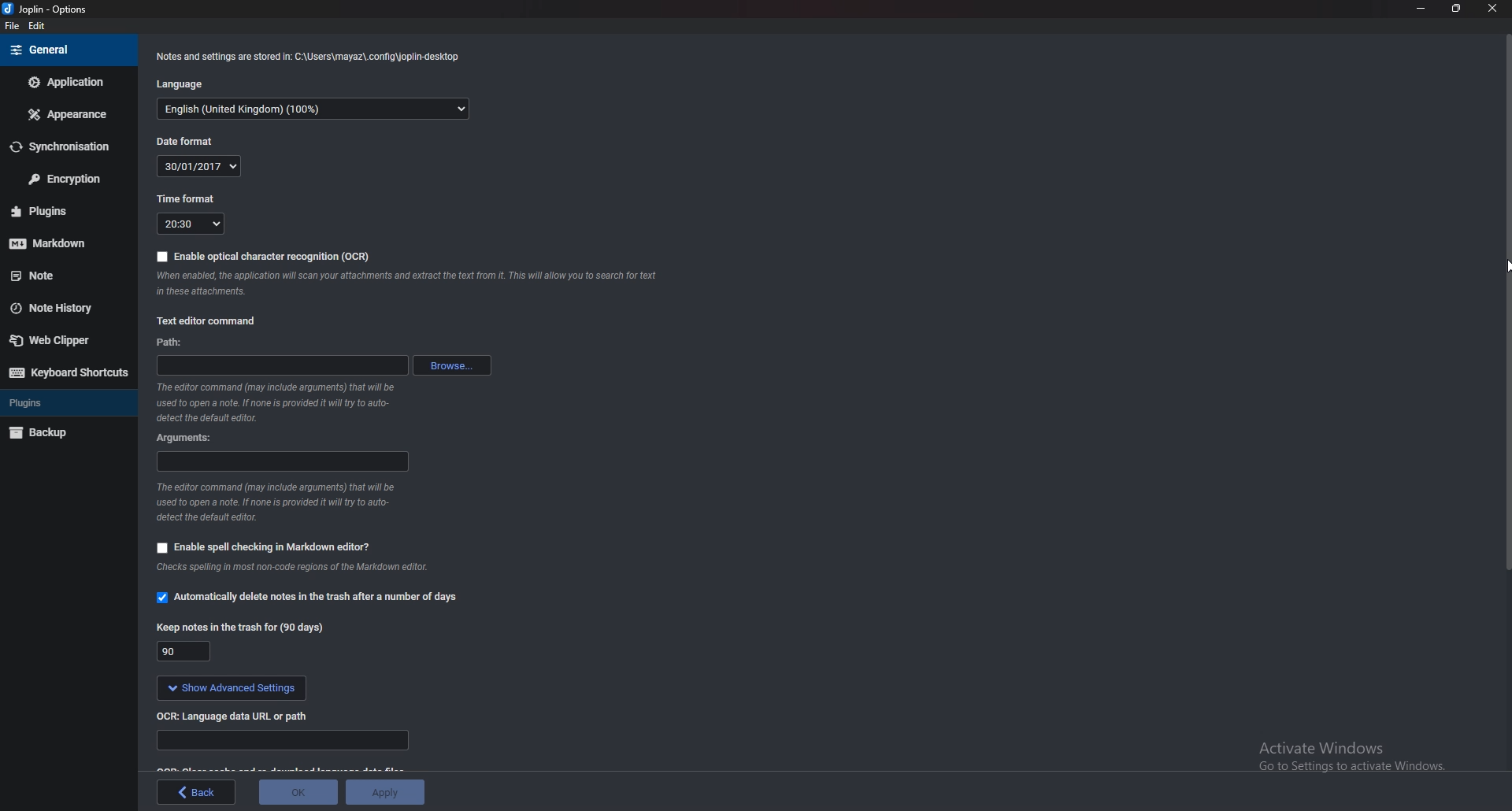 This screenshot has height=811, width=1512. What do you see at coordinates (54, 276) in the screenshot?
I see `note` at bounding box center [54, 276].